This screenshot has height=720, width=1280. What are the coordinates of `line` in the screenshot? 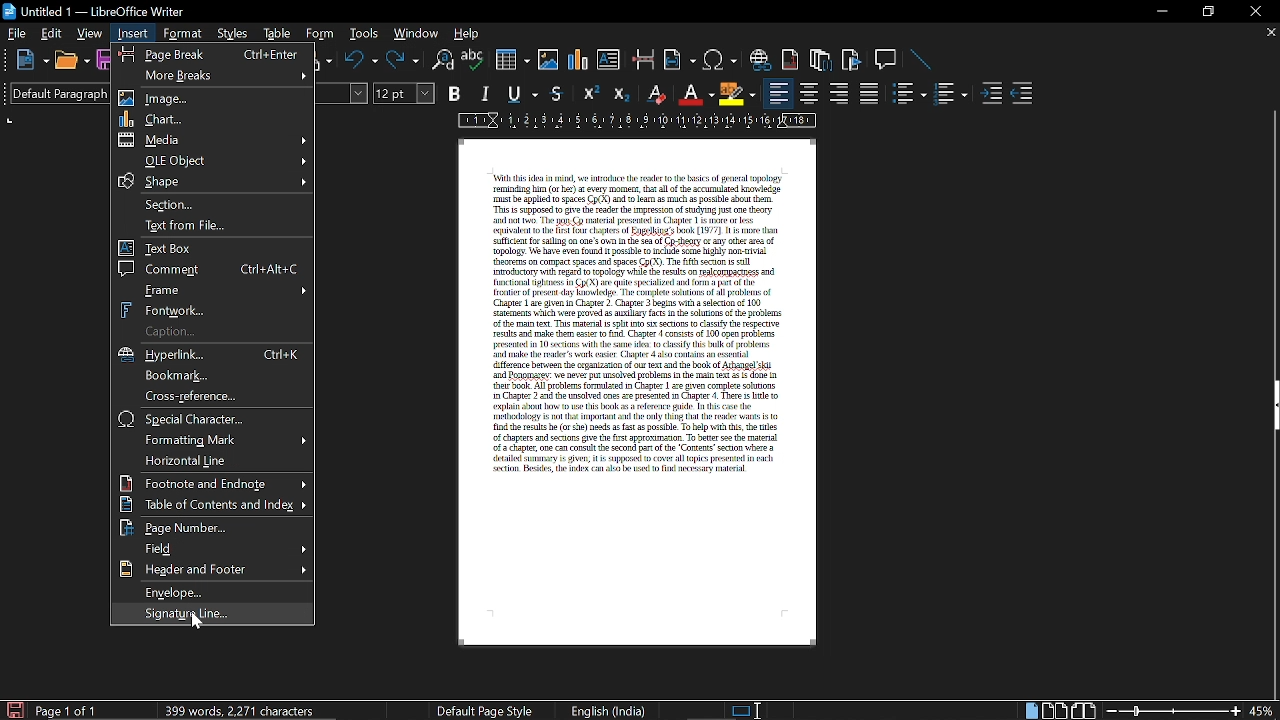 It's located at (918, 61).